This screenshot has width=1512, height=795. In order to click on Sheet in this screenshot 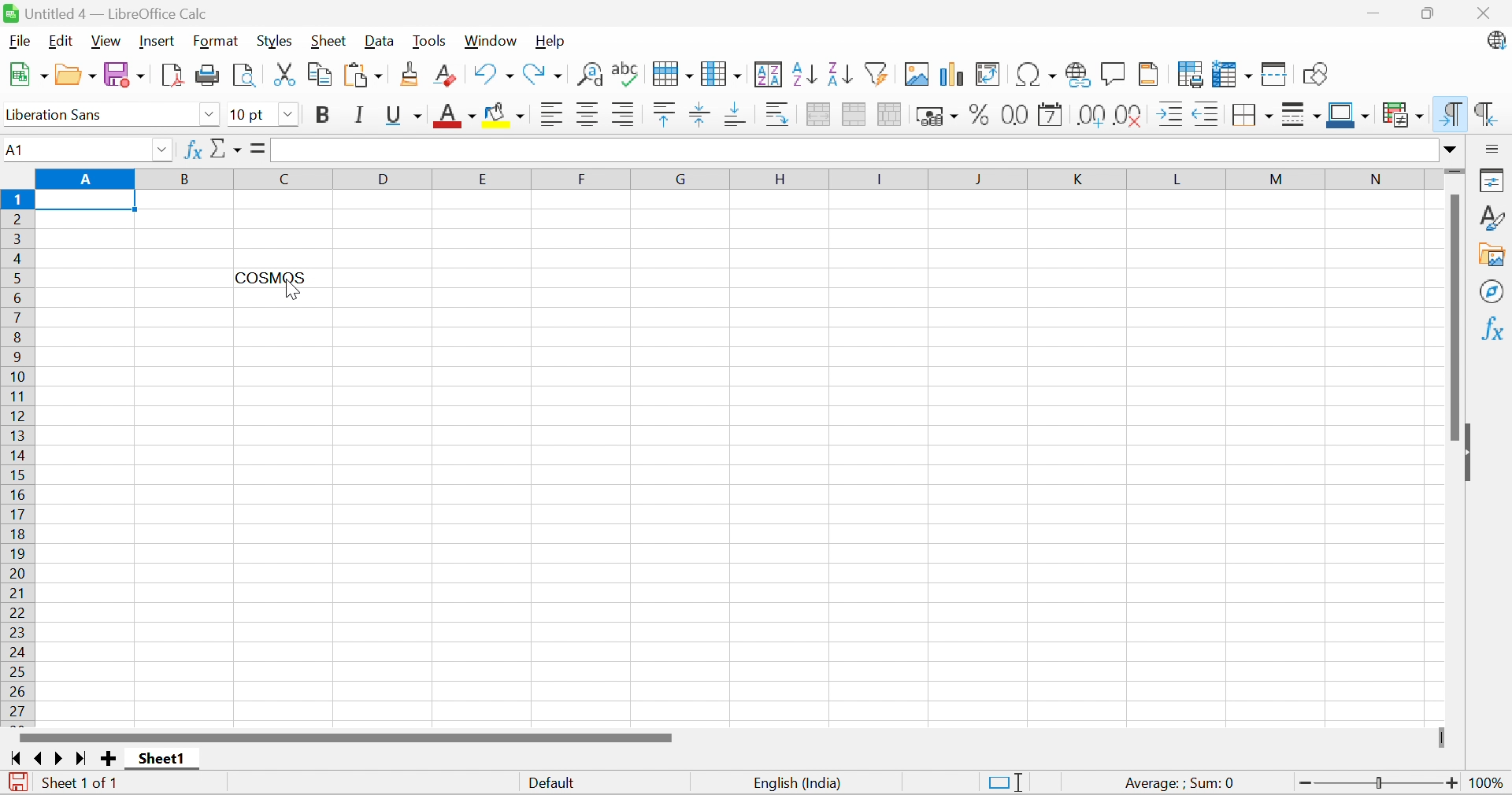, I will do `click(328, 42)`.